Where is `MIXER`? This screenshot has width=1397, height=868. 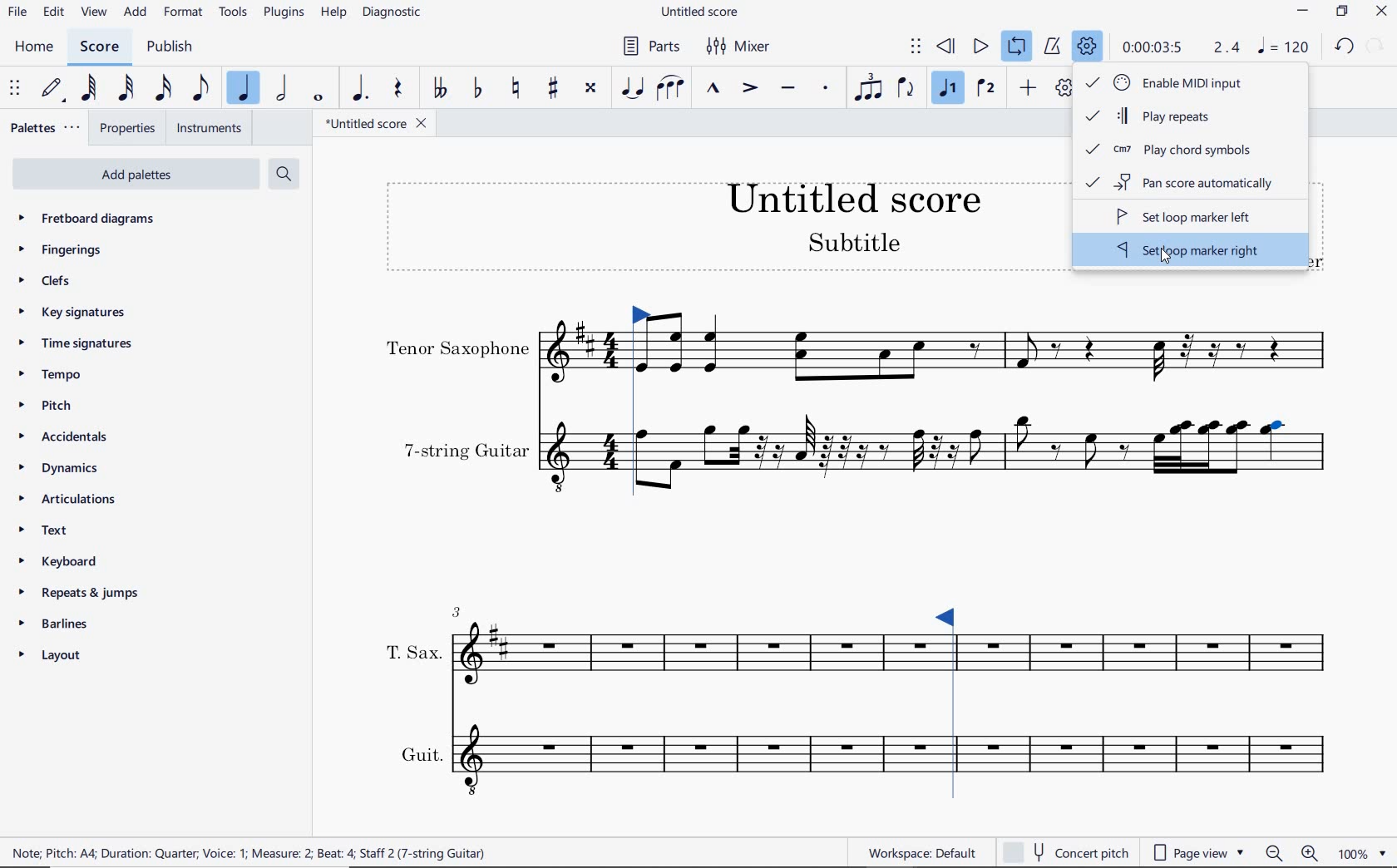
MIXER is located at coordinates (747, 47).